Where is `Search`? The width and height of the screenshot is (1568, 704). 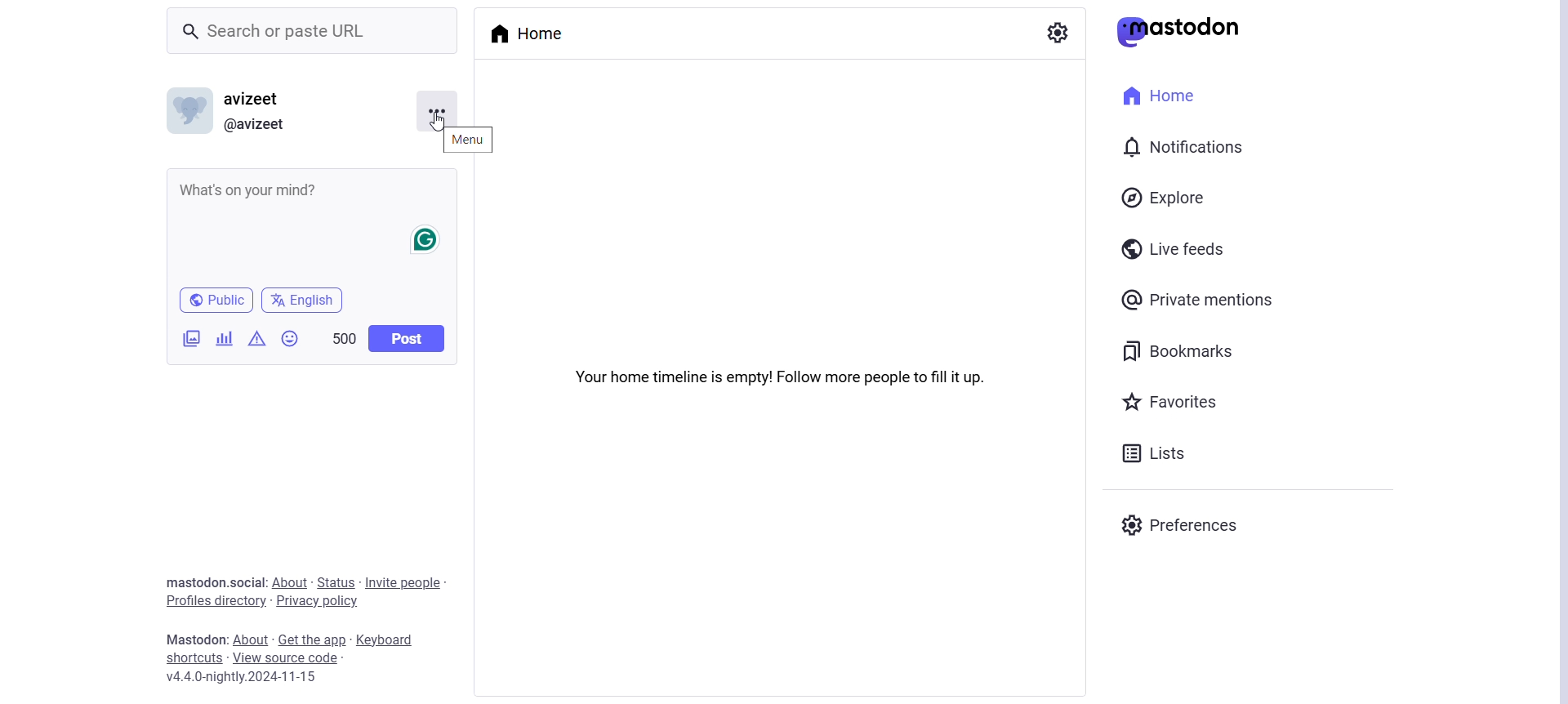 Search is located at coordinates (304, 32).